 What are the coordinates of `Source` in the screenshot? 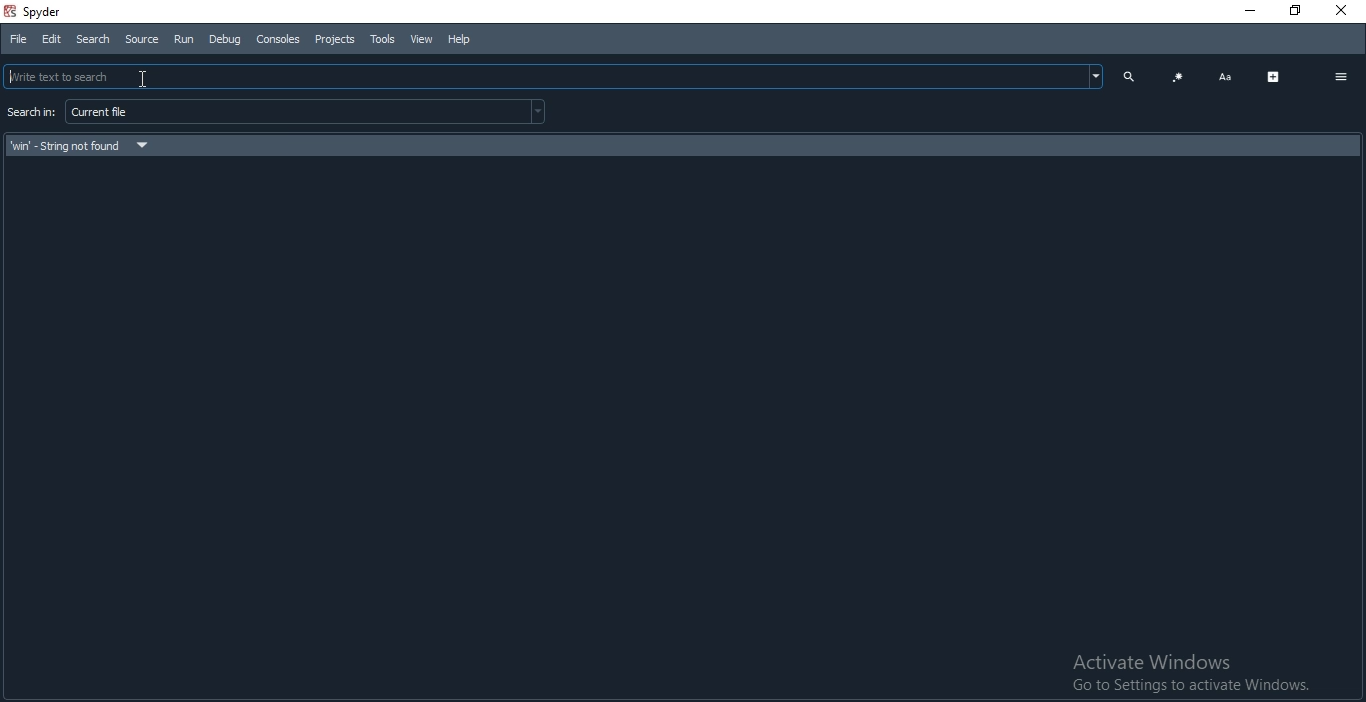 It's located at (142, 39).